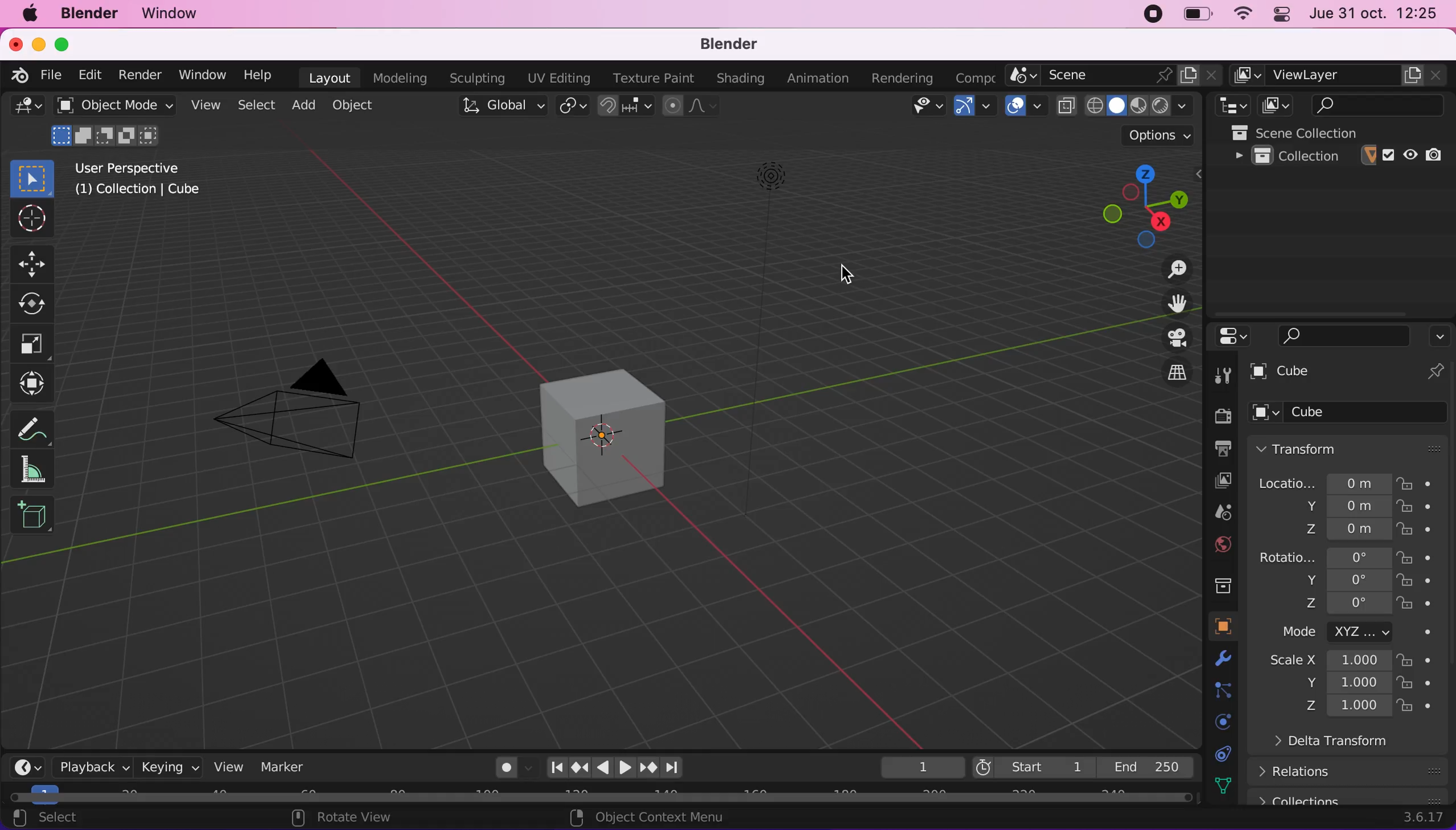 The height and width of the screenshot is (830, 1456). I want to click on blender, so click(93, 15).